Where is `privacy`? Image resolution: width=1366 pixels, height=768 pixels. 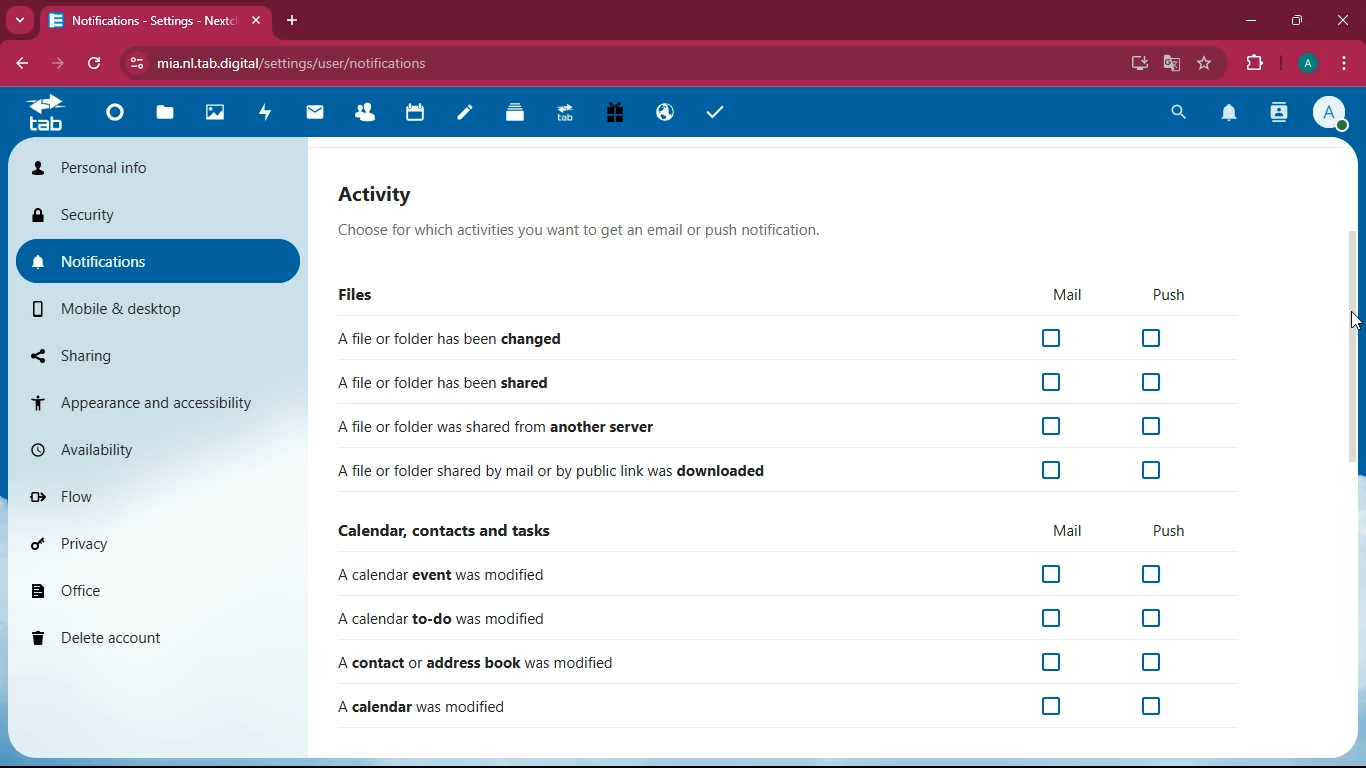
privacy is located at coordinates (155, 539).